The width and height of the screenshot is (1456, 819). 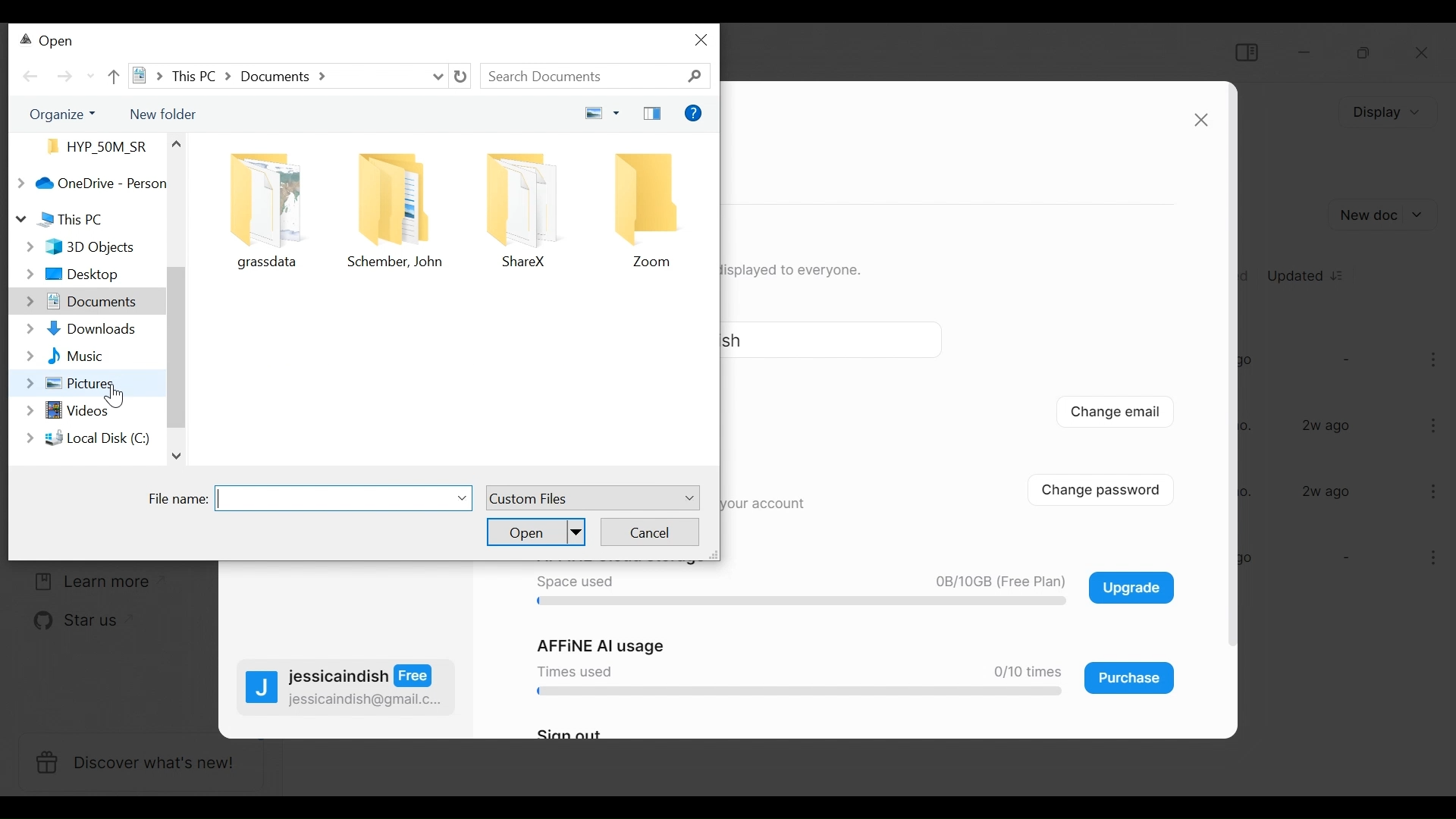 I want to click on minimize, so click(x=1307, y=52).